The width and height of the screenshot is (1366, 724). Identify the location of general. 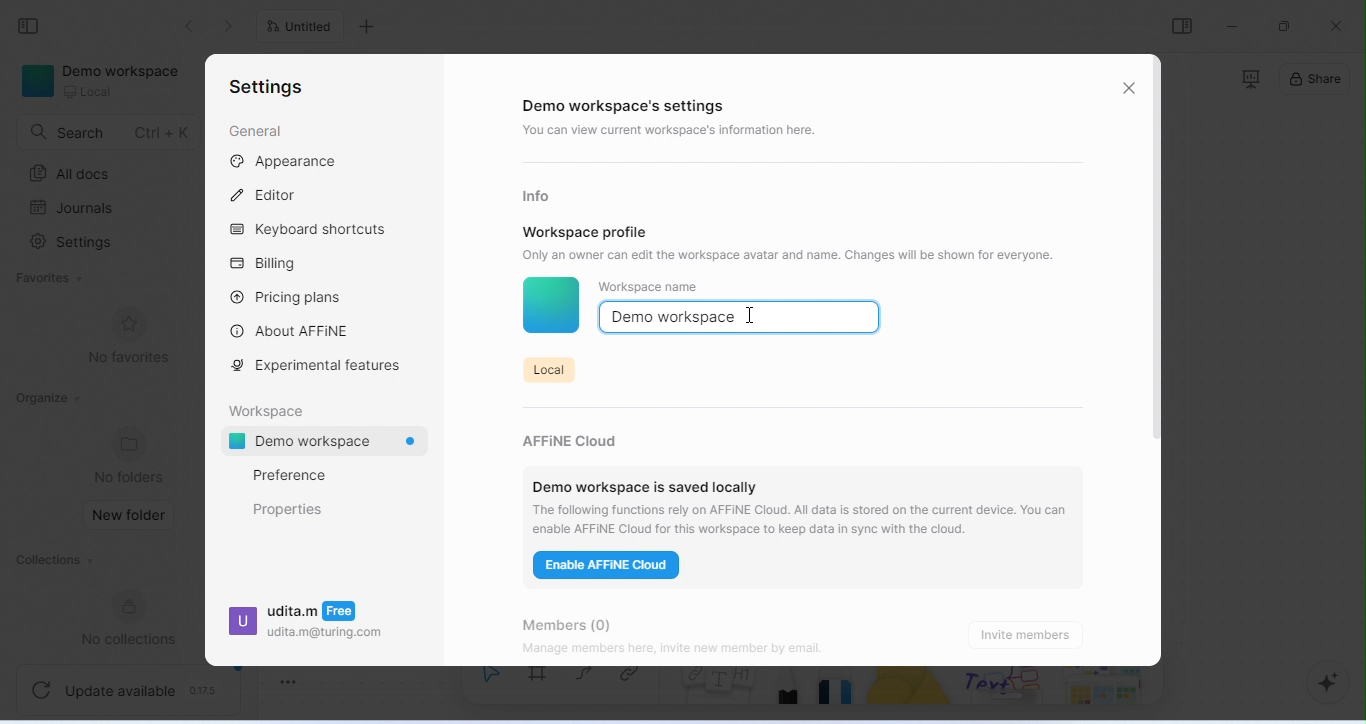
(255, 132).